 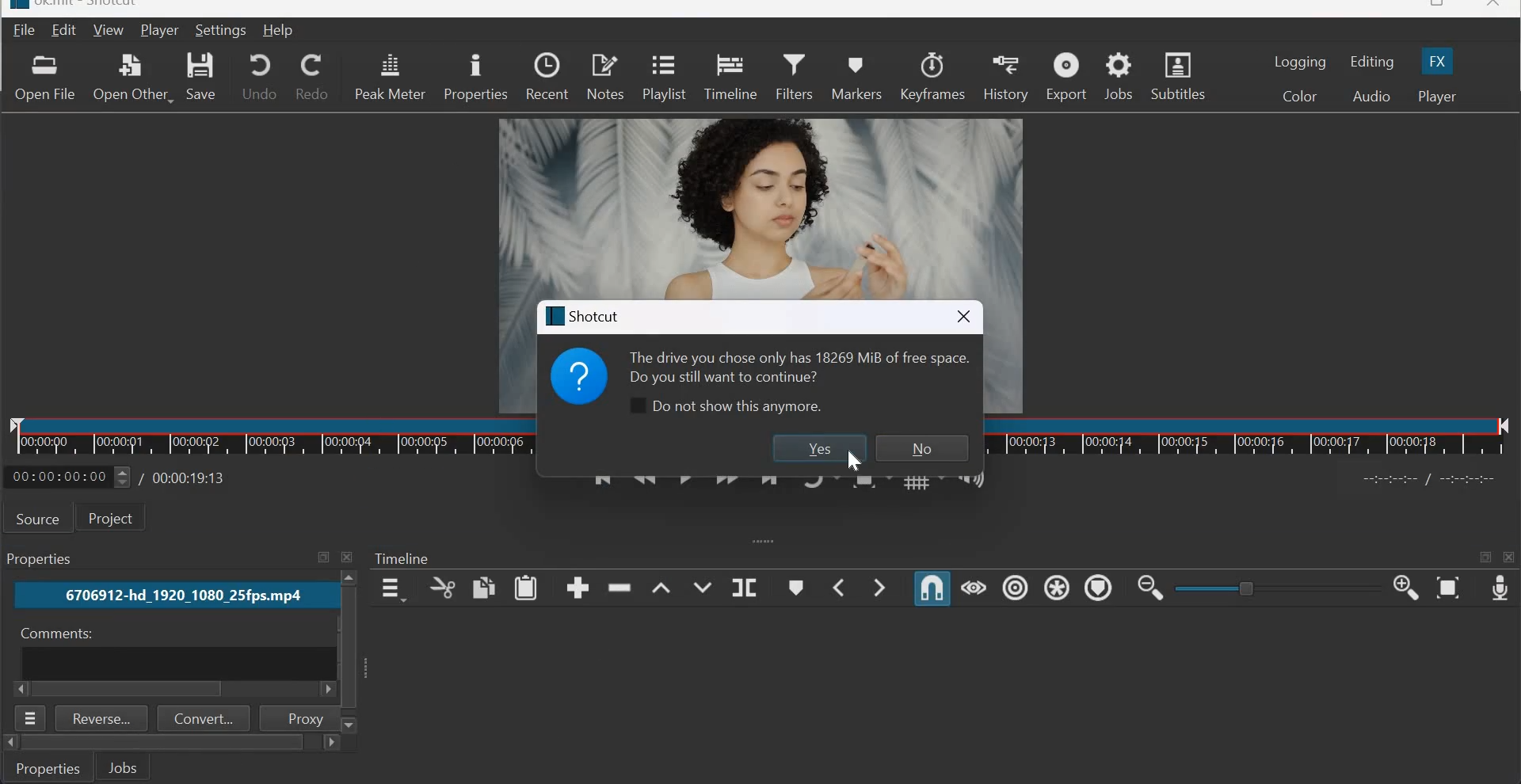 I want to click on Source, so click(x=38, y=518).